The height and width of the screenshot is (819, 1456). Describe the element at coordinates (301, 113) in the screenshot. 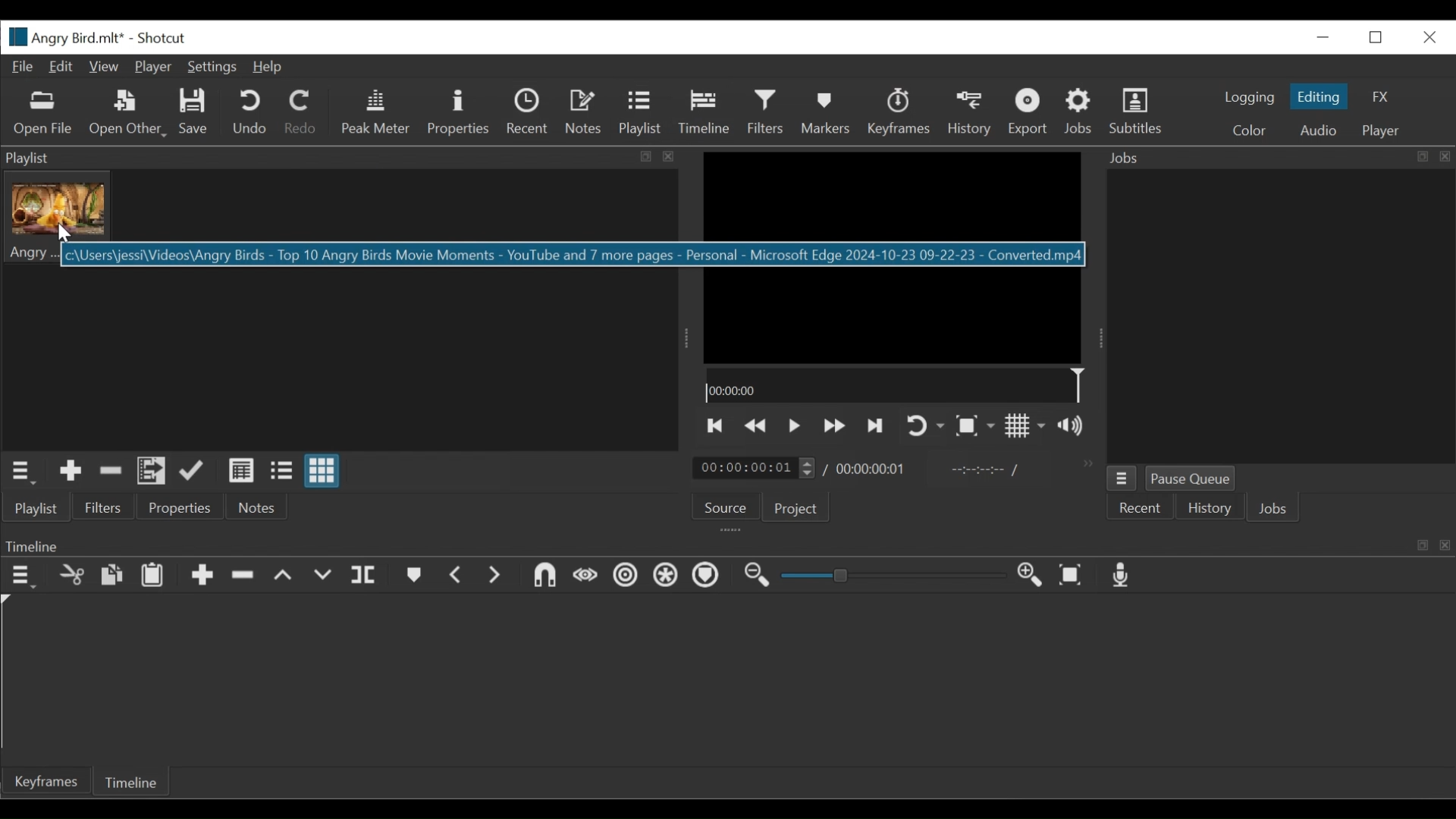

I see `Redo` at that location.